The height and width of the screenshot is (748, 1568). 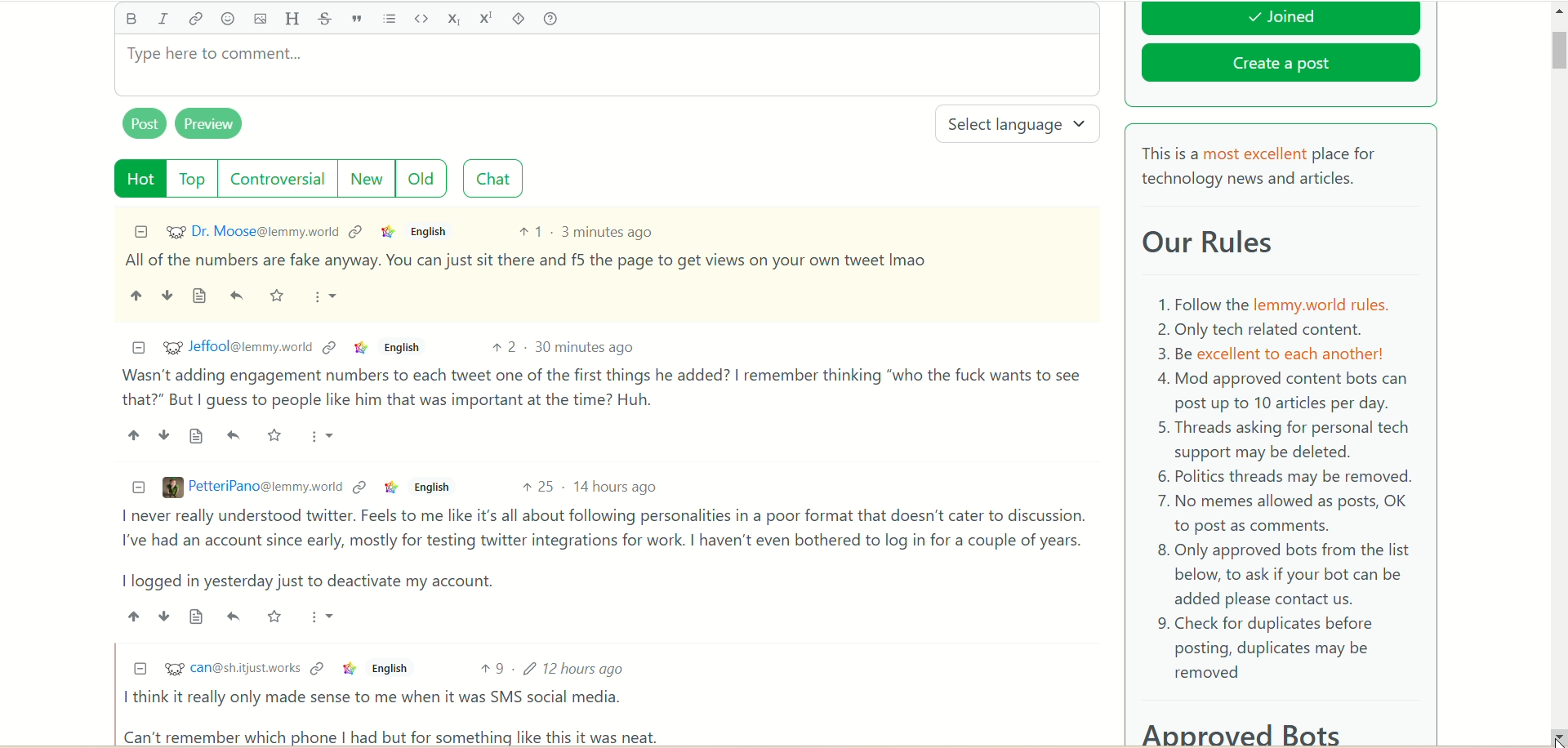 What do you see at coordinates (349, 669) in the screenshot?
I see `Link` at bounding box center [349, 669].